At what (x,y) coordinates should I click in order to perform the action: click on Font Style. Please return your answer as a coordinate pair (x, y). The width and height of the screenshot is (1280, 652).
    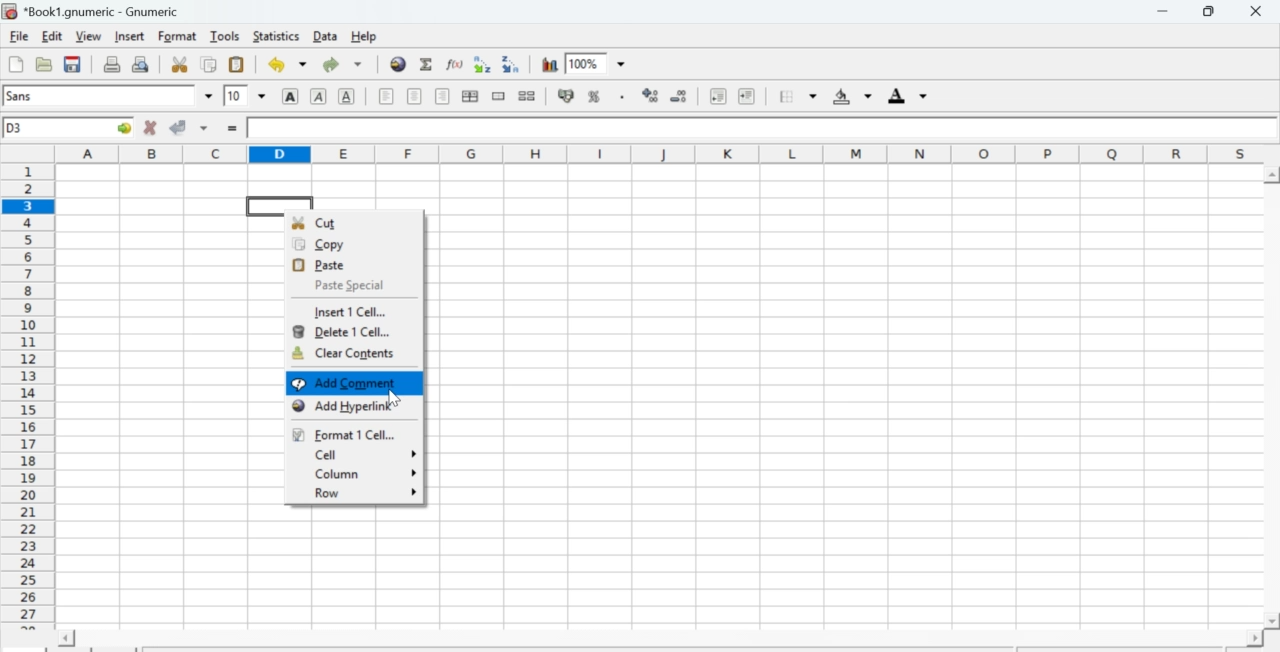
    Looking at the image, I should click on (100, 98).